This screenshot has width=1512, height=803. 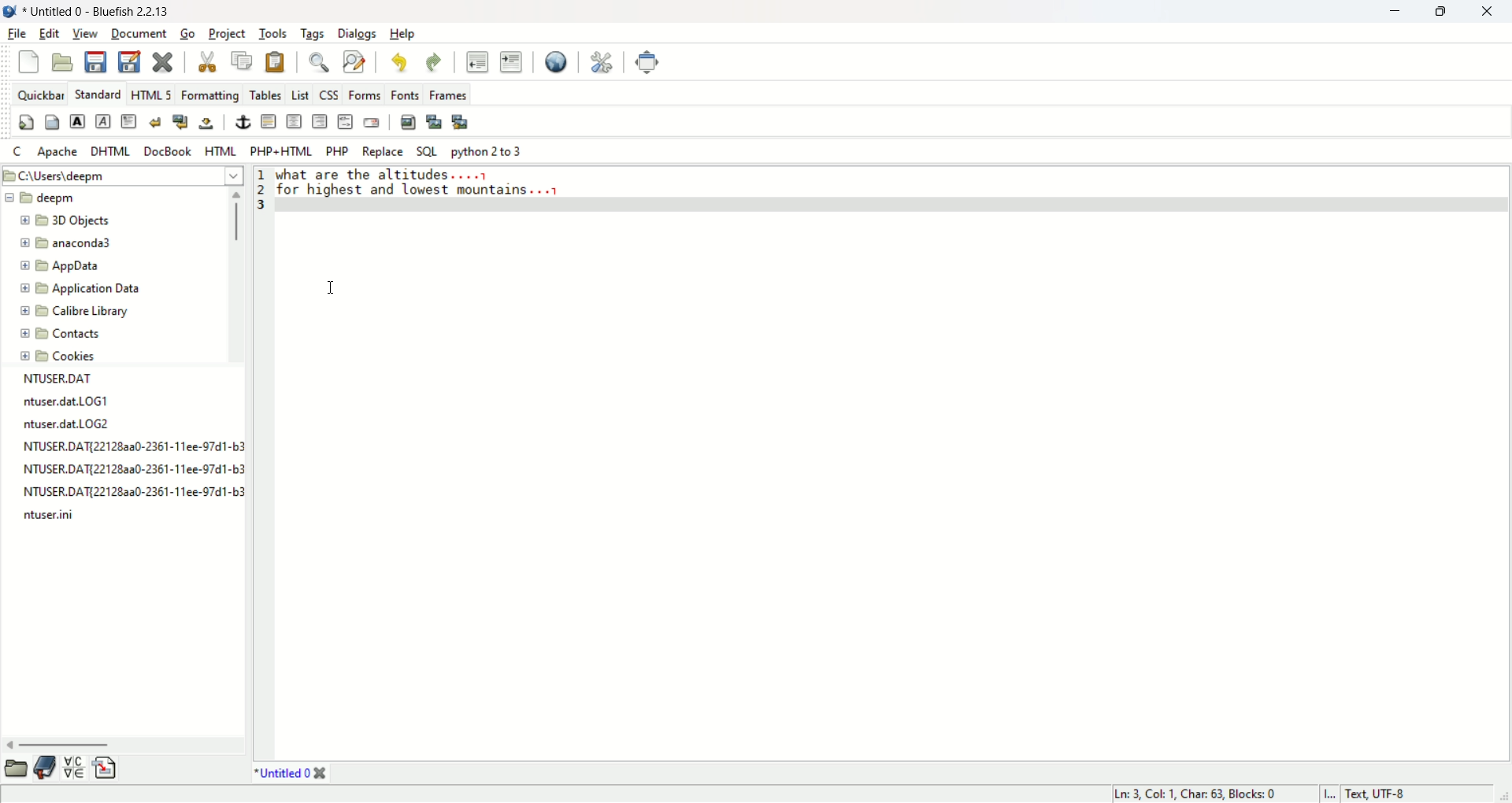 I want to click on insert images, so click(x=409, y=121).